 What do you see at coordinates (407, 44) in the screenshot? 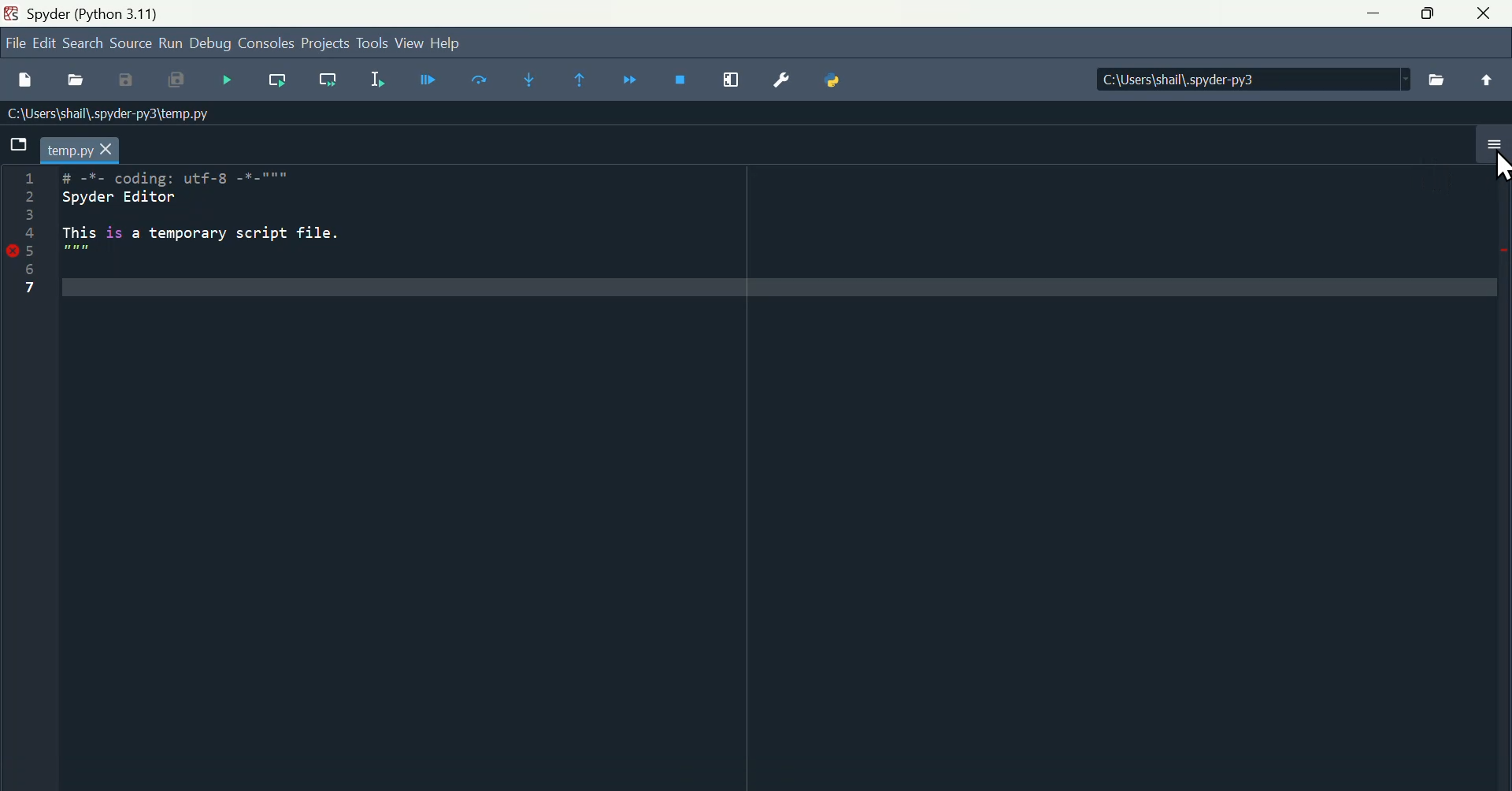
I see `View` at bounding box center [407, 44].